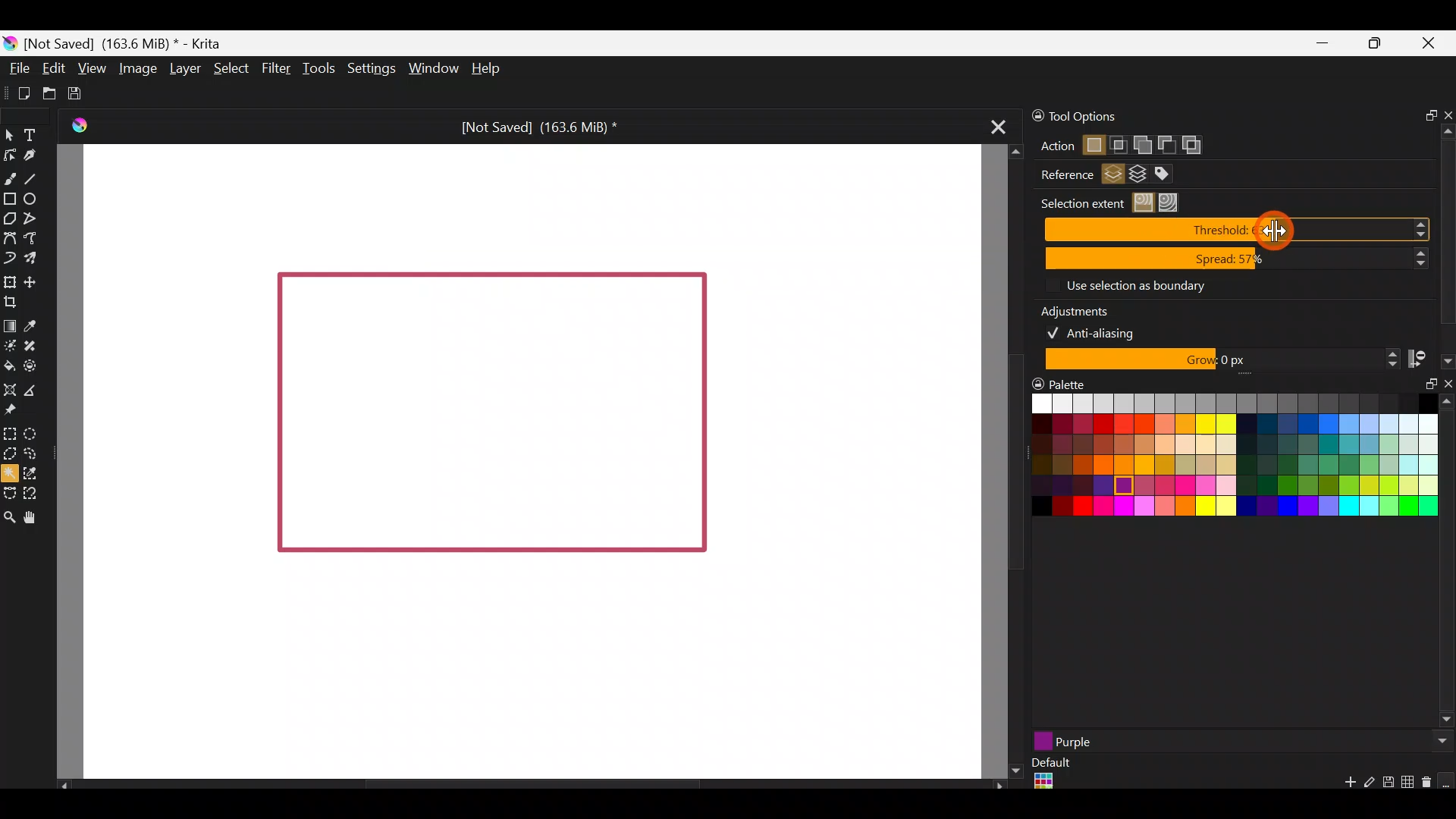 The width and height of the screenshot is (1456, 819). Describe the element at coordinates (1113, 117) in the screenshot. I see `Tool options` at that location.